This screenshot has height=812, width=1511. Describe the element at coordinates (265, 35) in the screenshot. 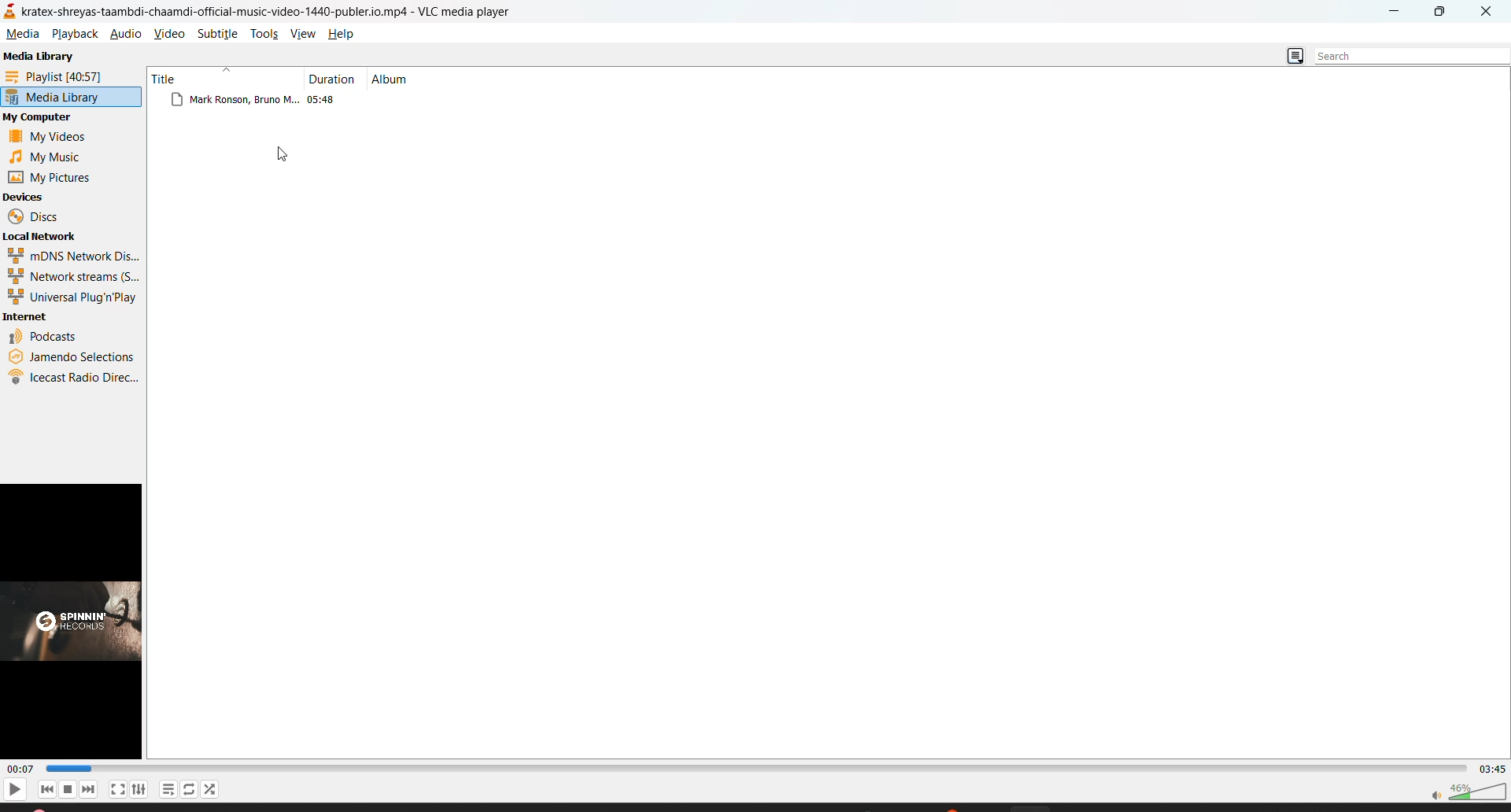

I see `tools` at that location.